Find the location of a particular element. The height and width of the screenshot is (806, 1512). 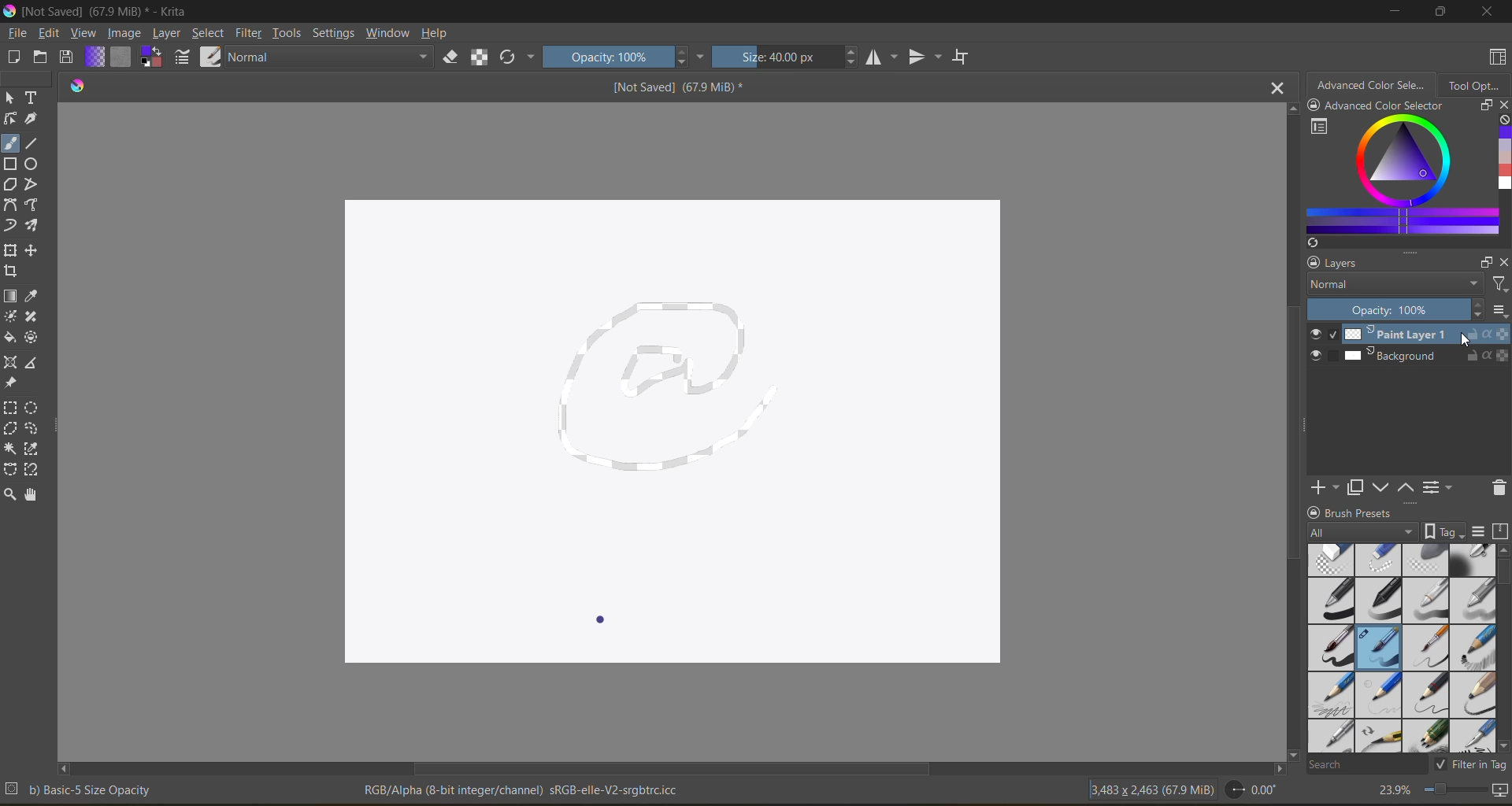

pencil is located at coordinates (1476, 694).